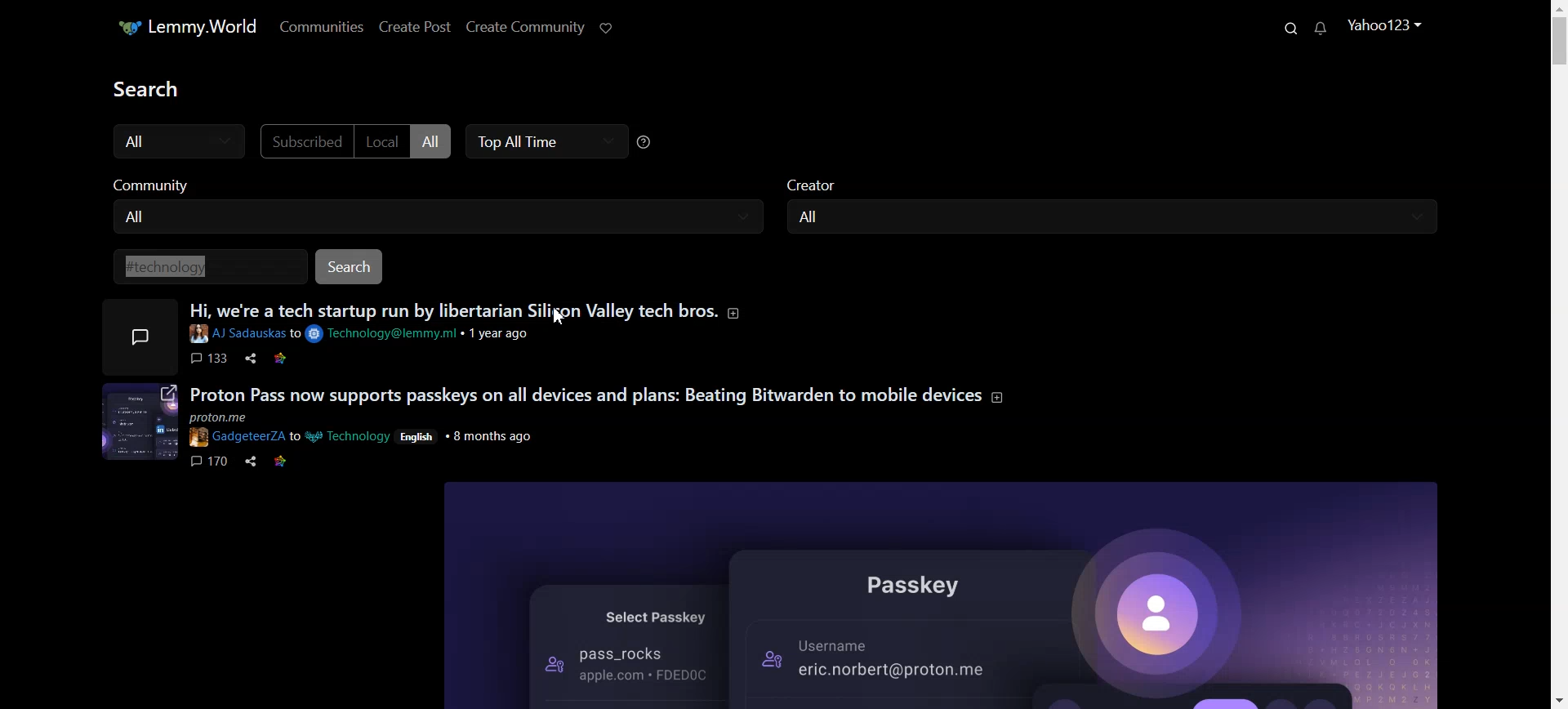  What do you see at coordinates (501, 335) in the screenshot?
I see `1 year ago` at bounding box center [501, 335].